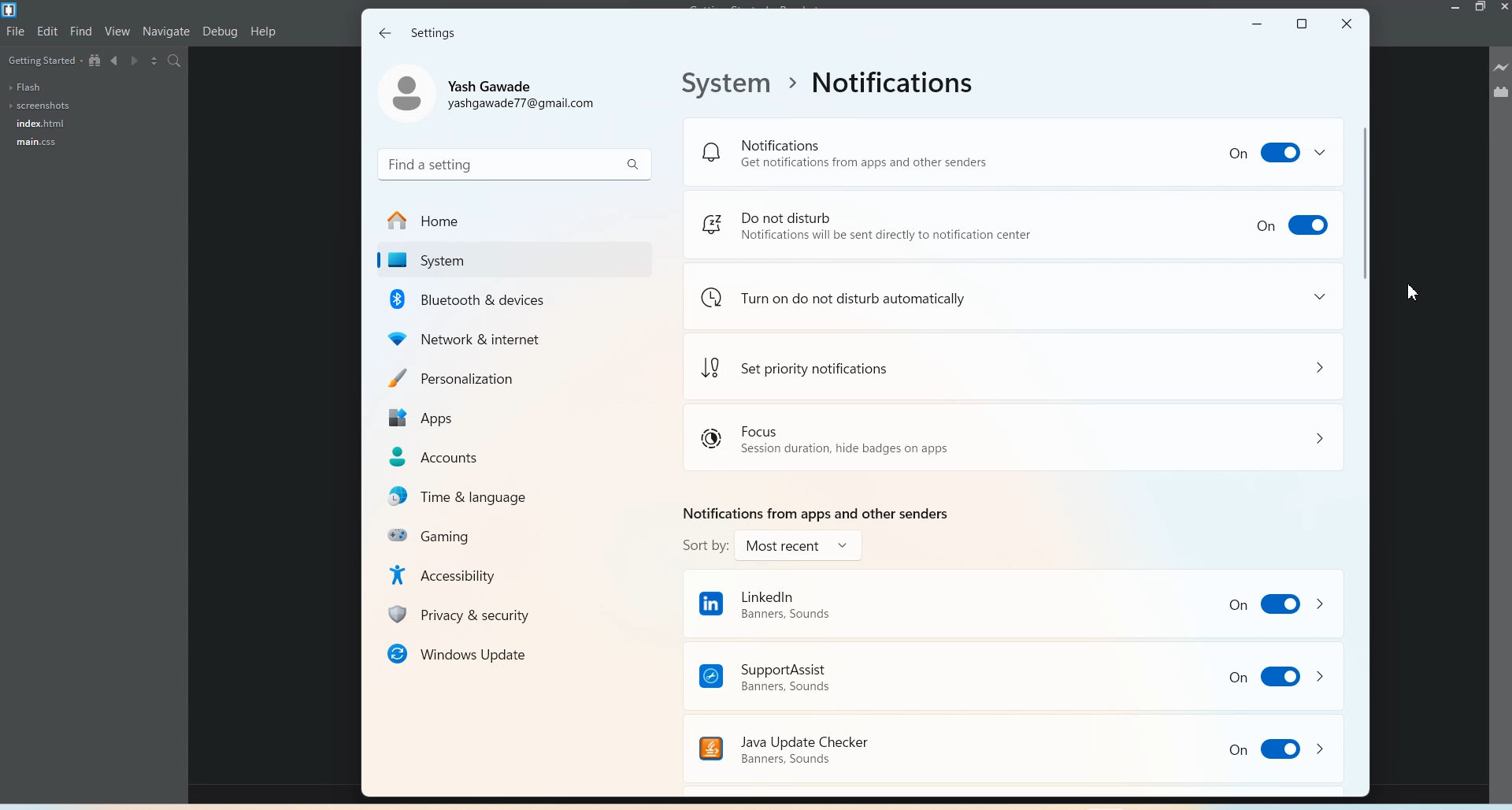  What do you see at coordinates (507, 259) in the screenshot?
I see `system` at bounding box center [507, 259].